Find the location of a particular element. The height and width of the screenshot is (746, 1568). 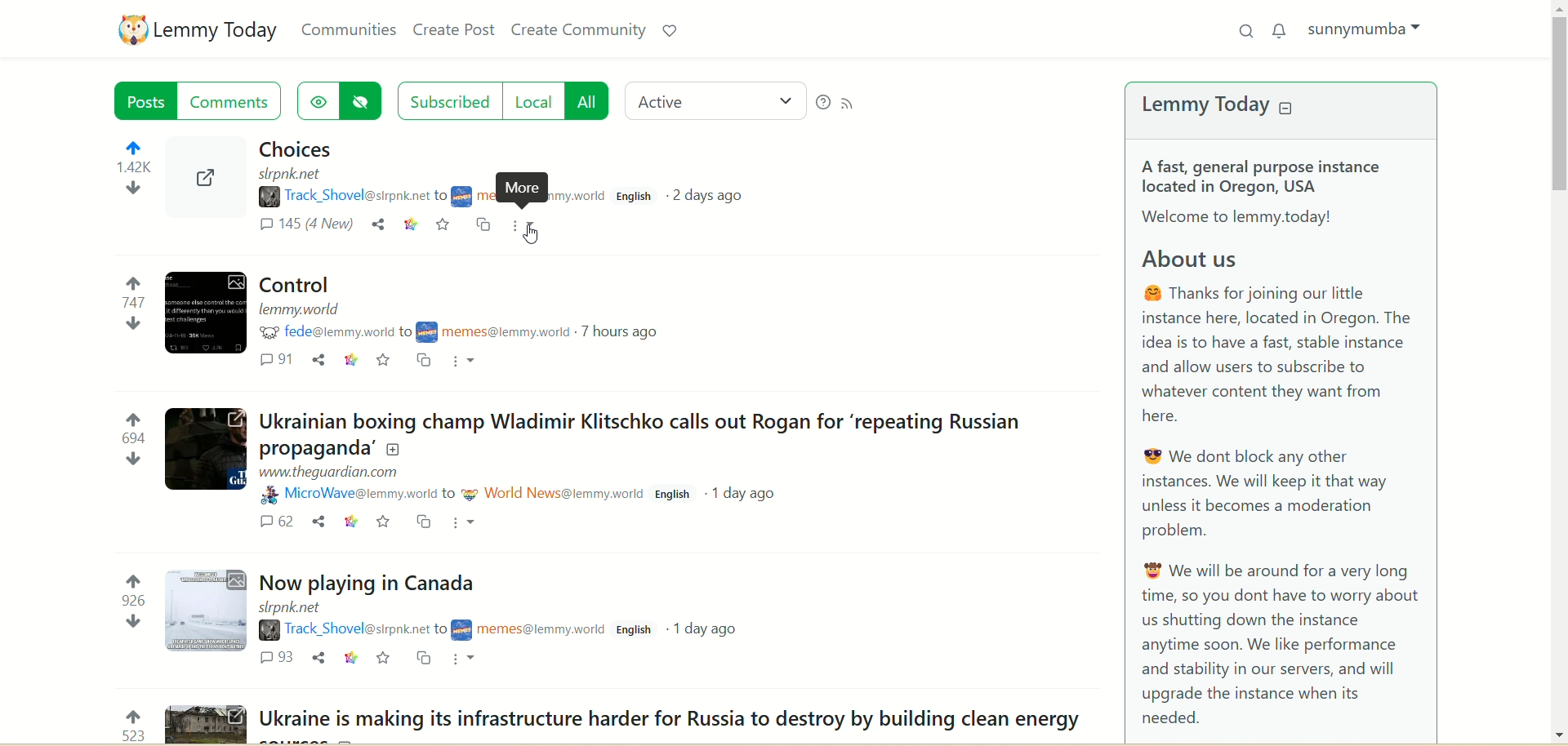

votes up and down is located at coordinates (119, 725).